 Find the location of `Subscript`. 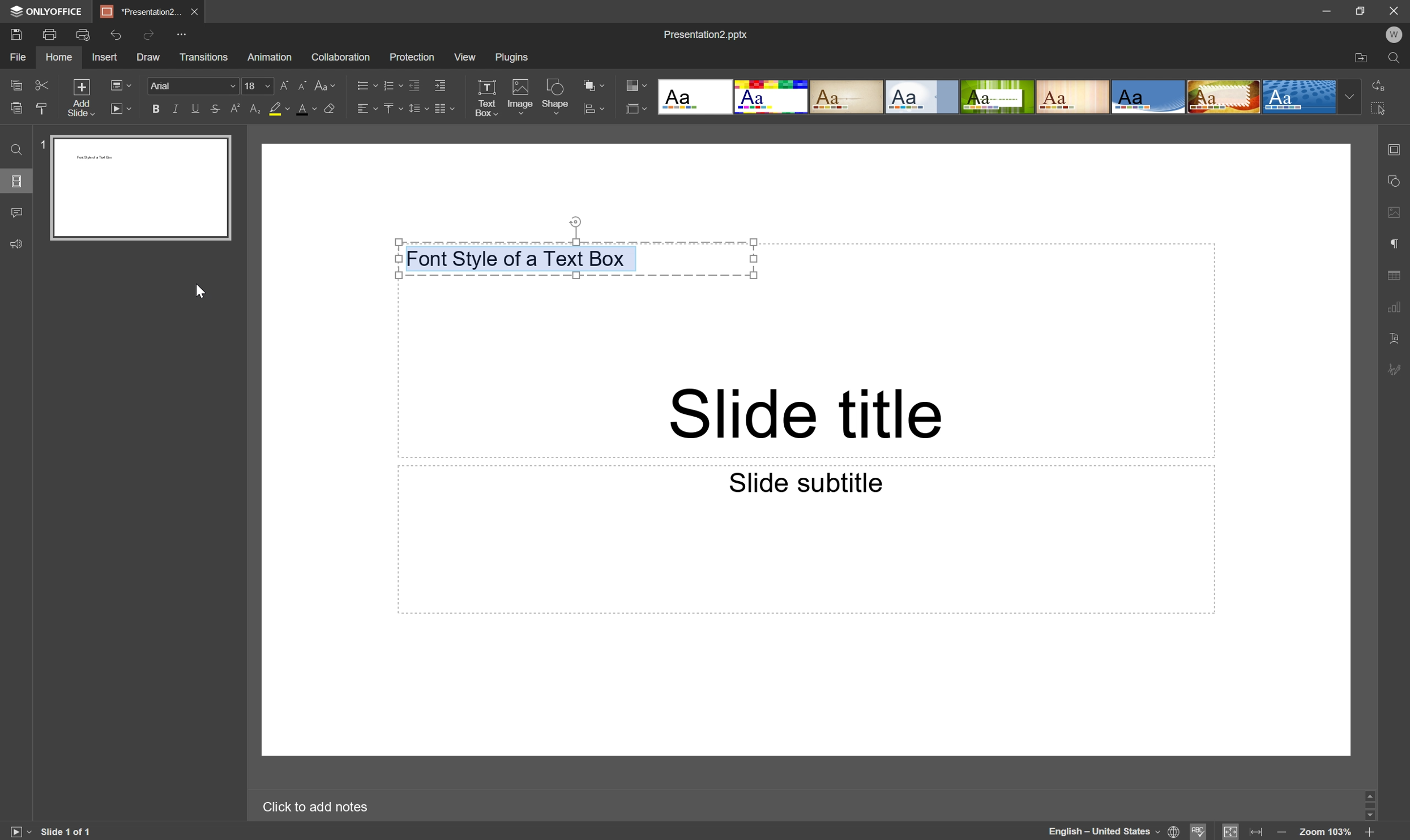

Subscript is located at coordinates (256, 109).